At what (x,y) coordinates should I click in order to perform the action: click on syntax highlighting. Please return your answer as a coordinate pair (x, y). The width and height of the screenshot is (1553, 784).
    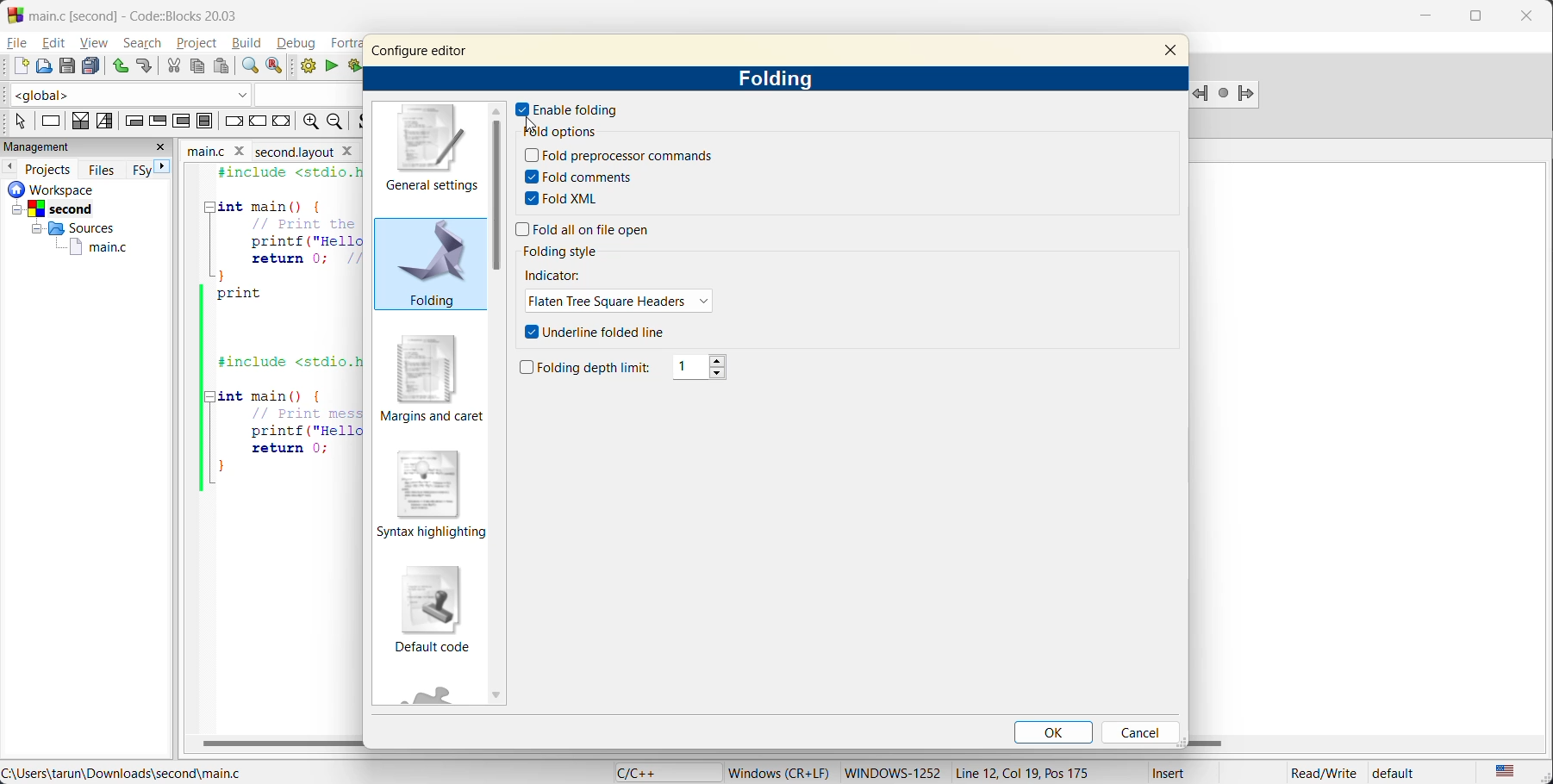
    Looking at the image, I should click on (432, 497).